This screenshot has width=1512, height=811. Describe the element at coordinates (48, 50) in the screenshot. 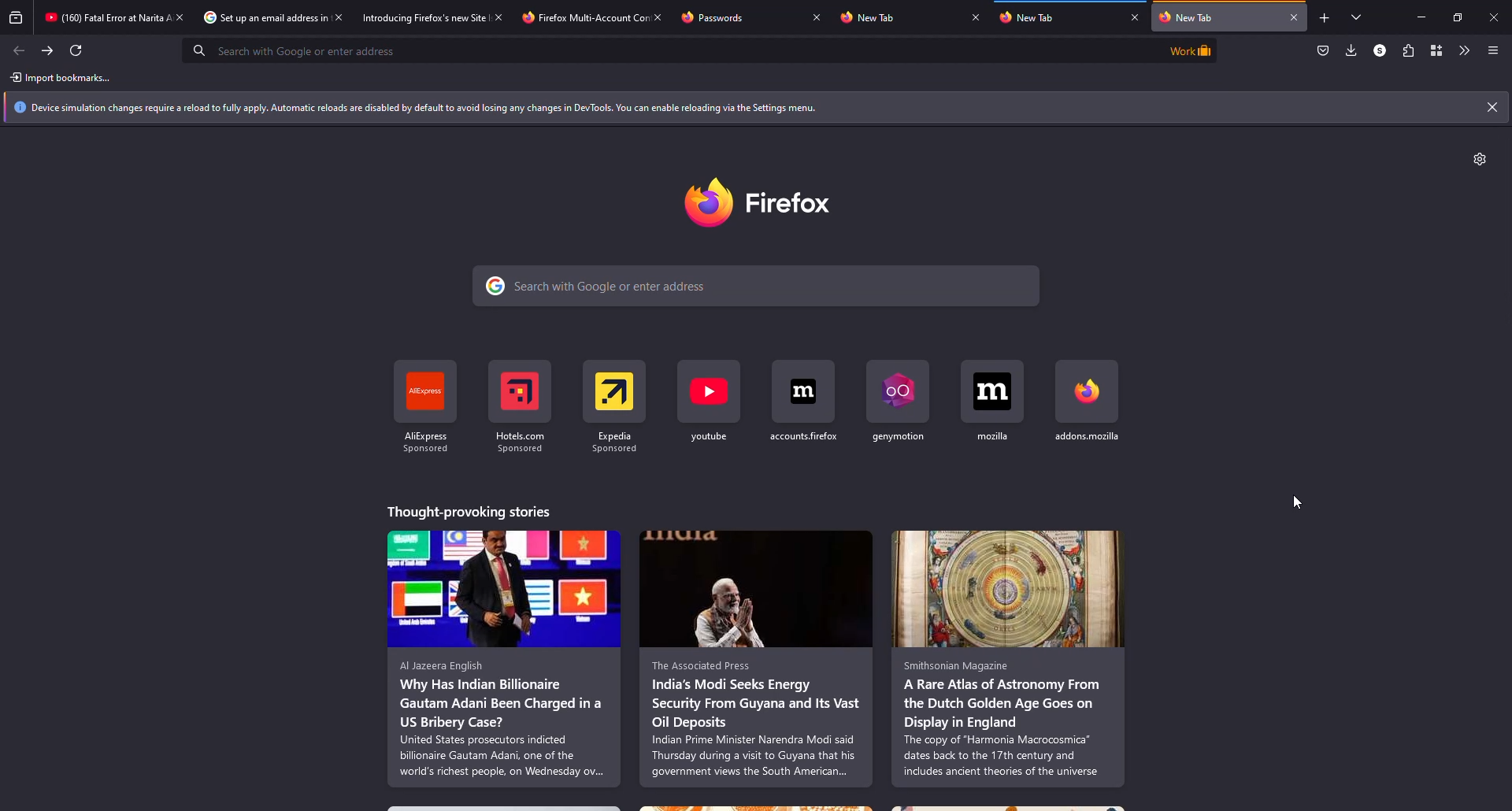

I see `forward` at that location.